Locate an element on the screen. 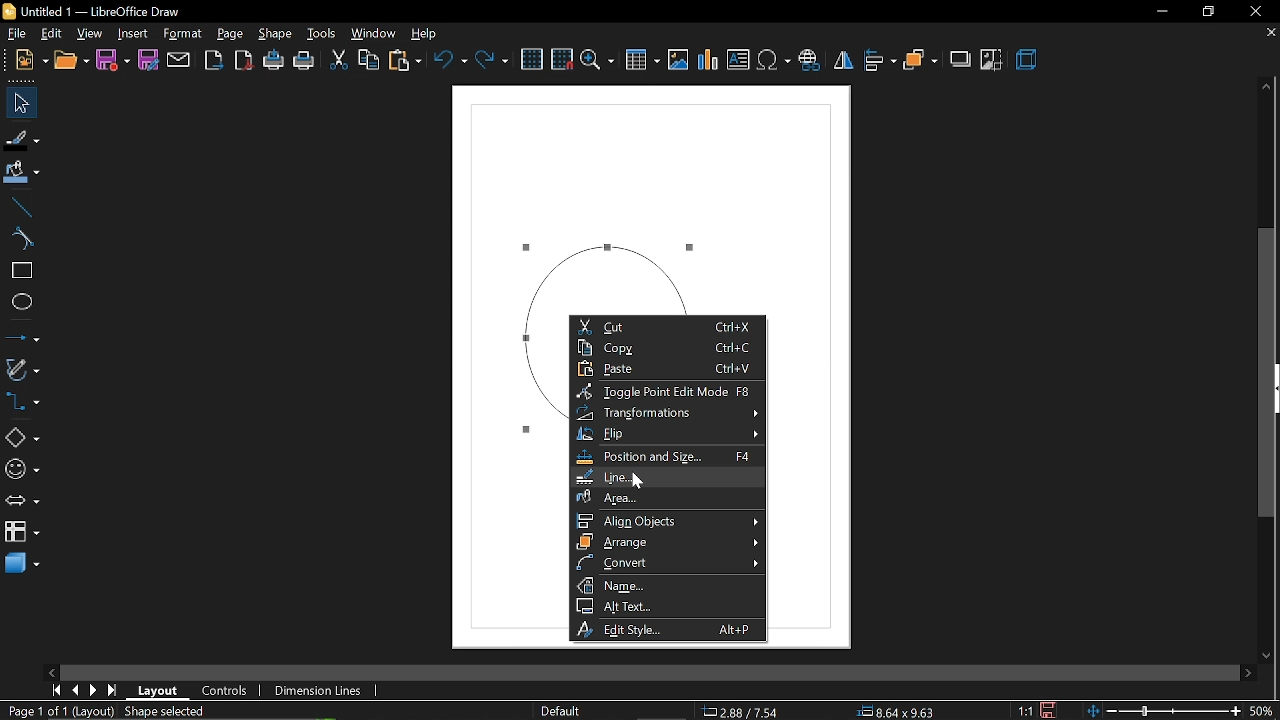  flip is located at coordinates (669, 434).